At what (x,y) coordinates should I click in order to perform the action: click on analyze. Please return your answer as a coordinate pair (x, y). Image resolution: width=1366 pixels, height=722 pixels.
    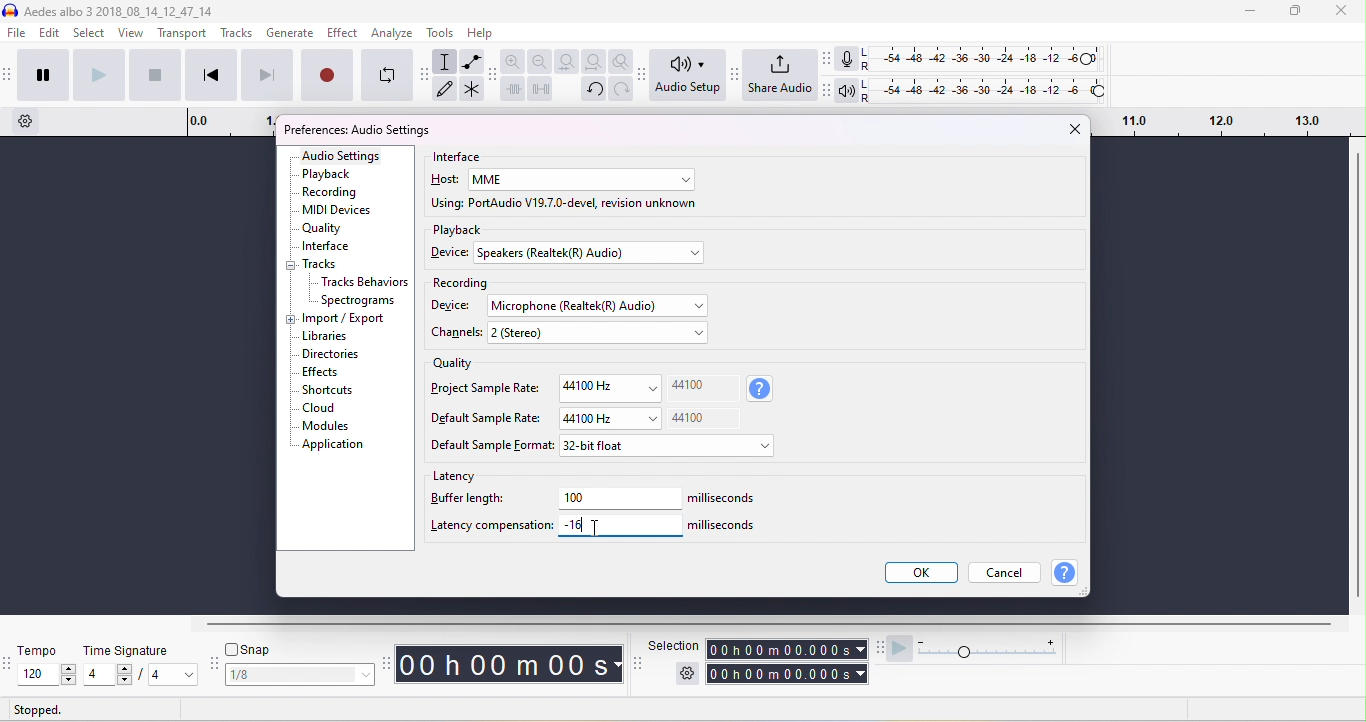
    Looking at the image, I should click on (392, 32).